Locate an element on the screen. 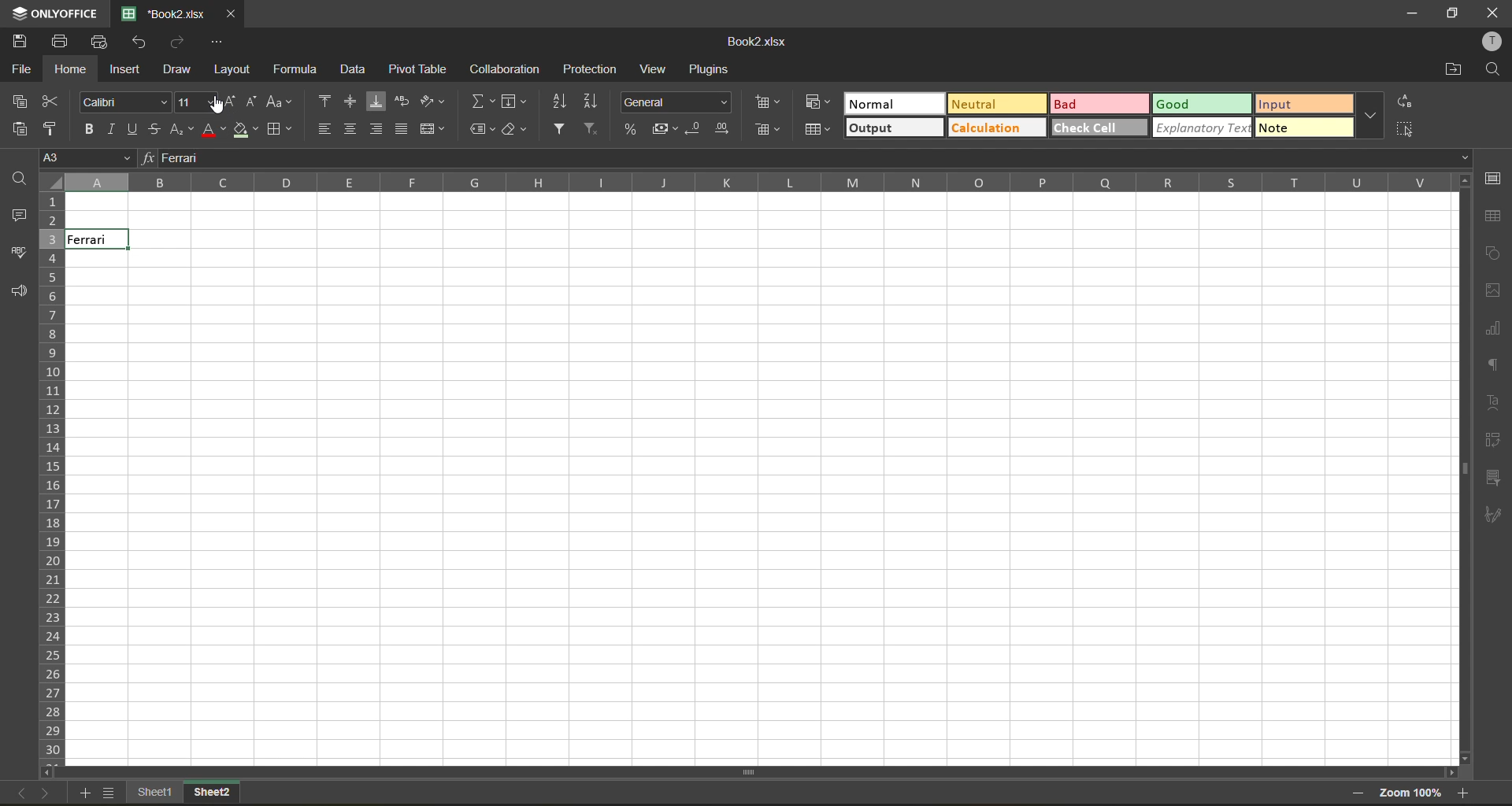 The width and height of the screenshot is (1512, 806). decrease decimal is located at coordinates (696, 128).